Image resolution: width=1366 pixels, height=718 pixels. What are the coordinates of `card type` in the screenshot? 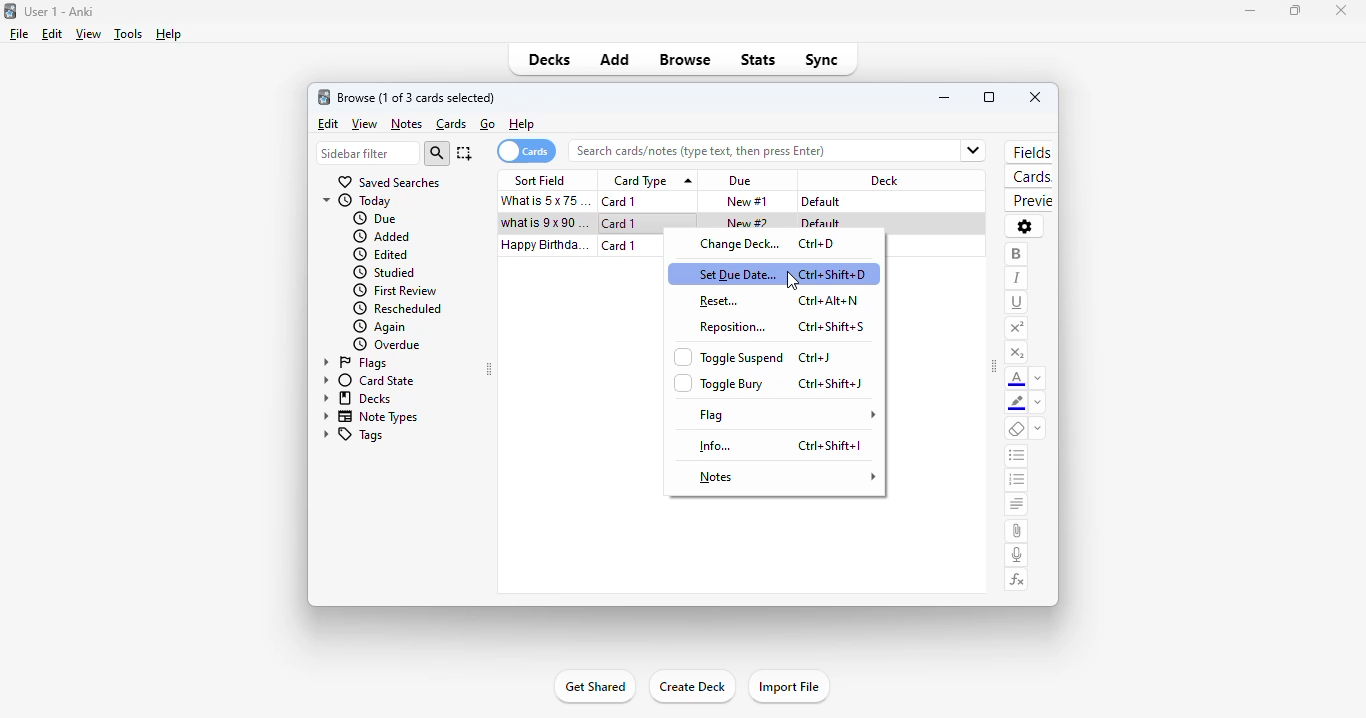 It's located at (651, 180).